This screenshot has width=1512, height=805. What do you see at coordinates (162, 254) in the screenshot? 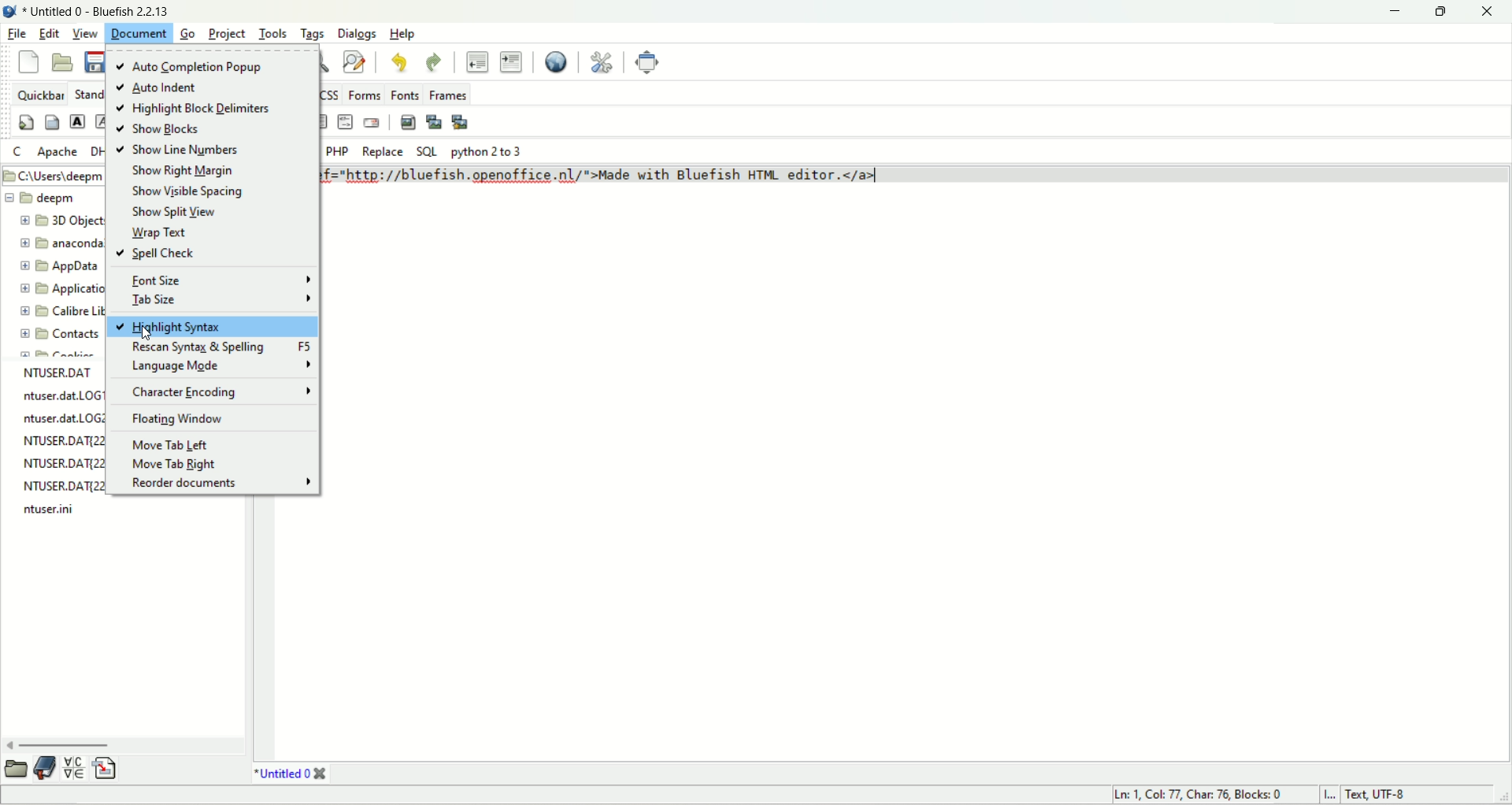
I see `spell check` at bounding box center [162, 254].